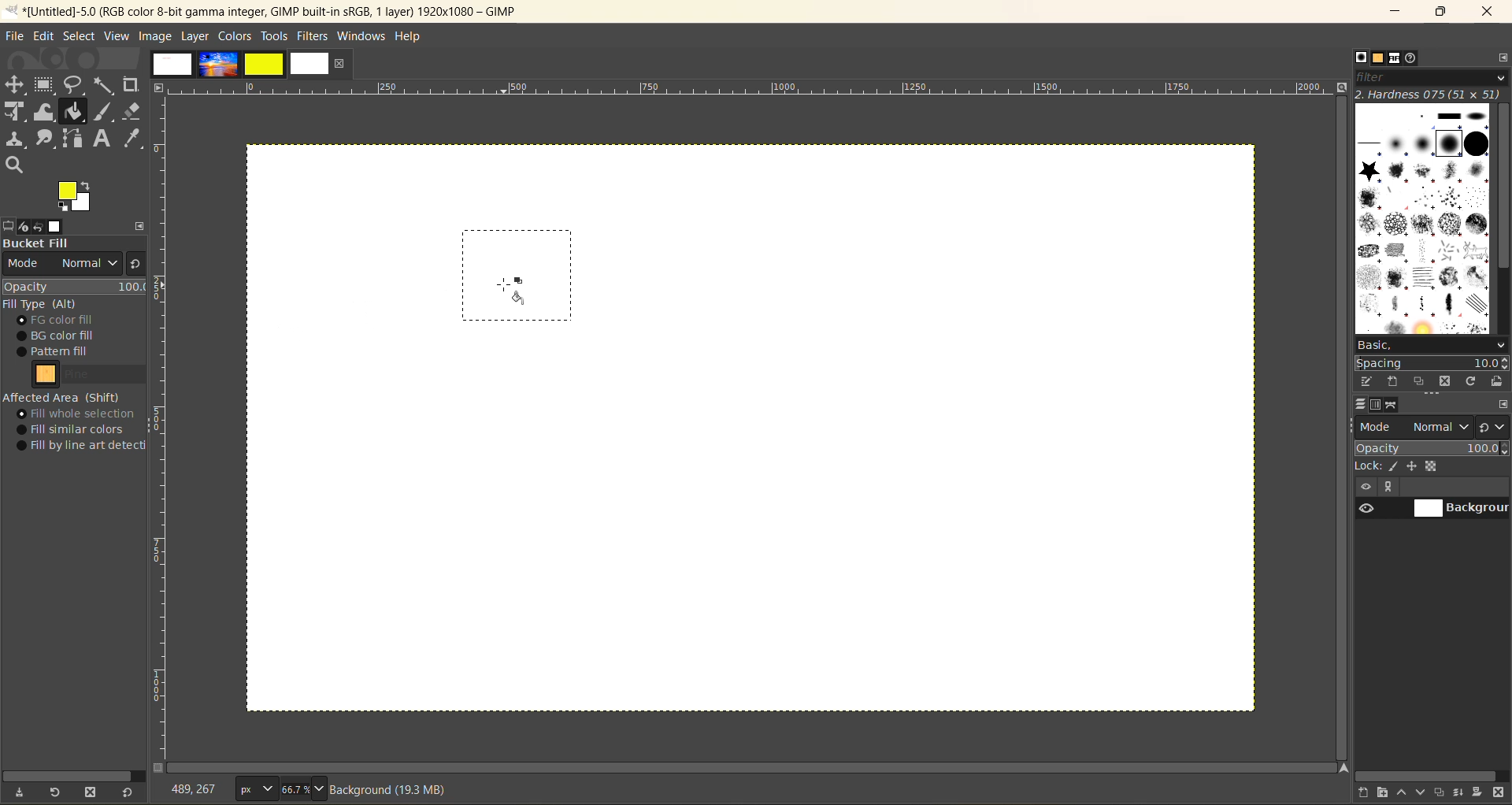 The height and width of the screenshot is (805, 1512). What do you see at coordinates (1424, 793) in the screenshot?
I see `lower this layer` at bounding box center [1424, 793].